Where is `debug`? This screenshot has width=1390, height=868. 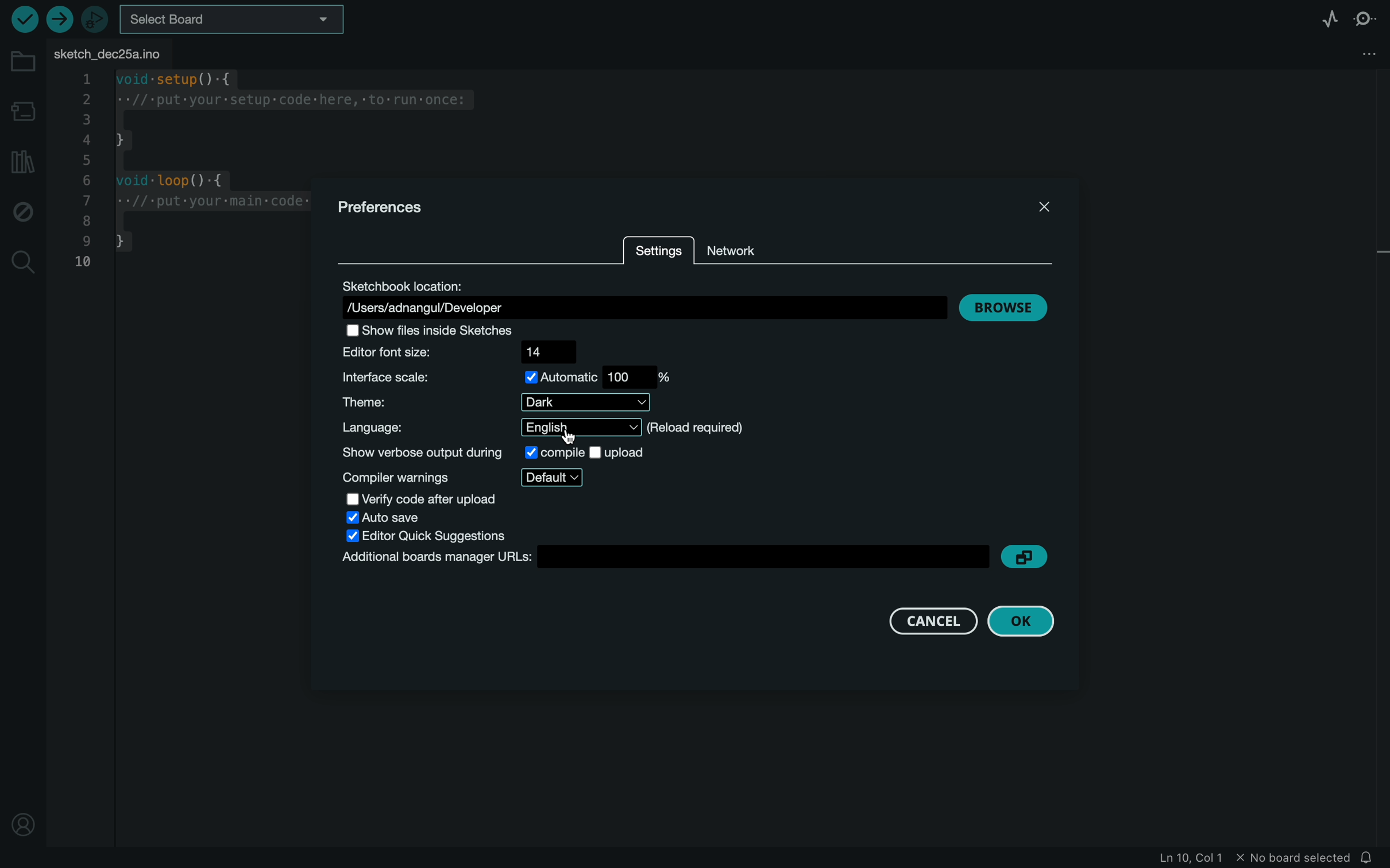
debug is located at coordinates (23, 211).